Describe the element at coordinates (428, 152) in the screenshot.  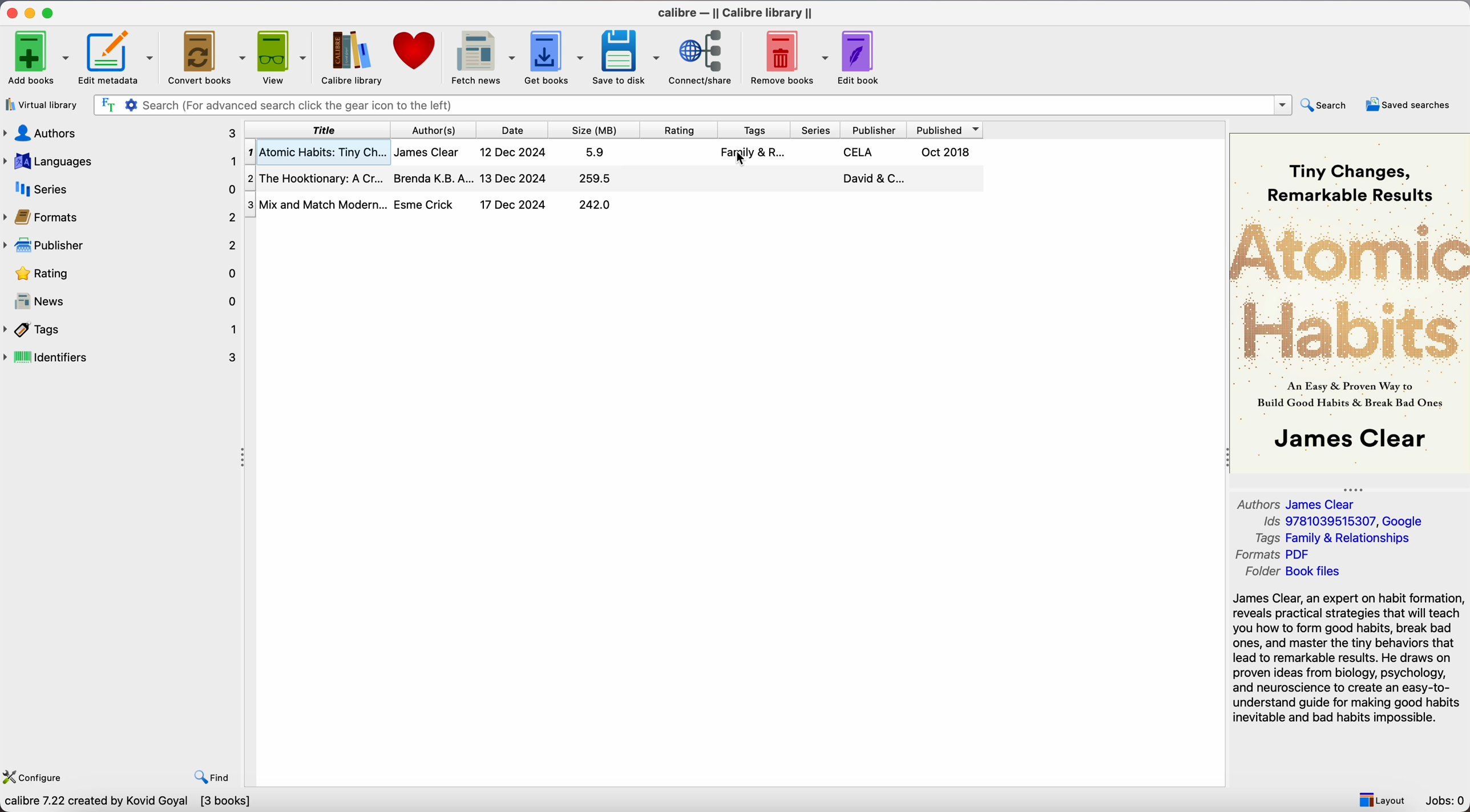
I see `James Clear` at that location.